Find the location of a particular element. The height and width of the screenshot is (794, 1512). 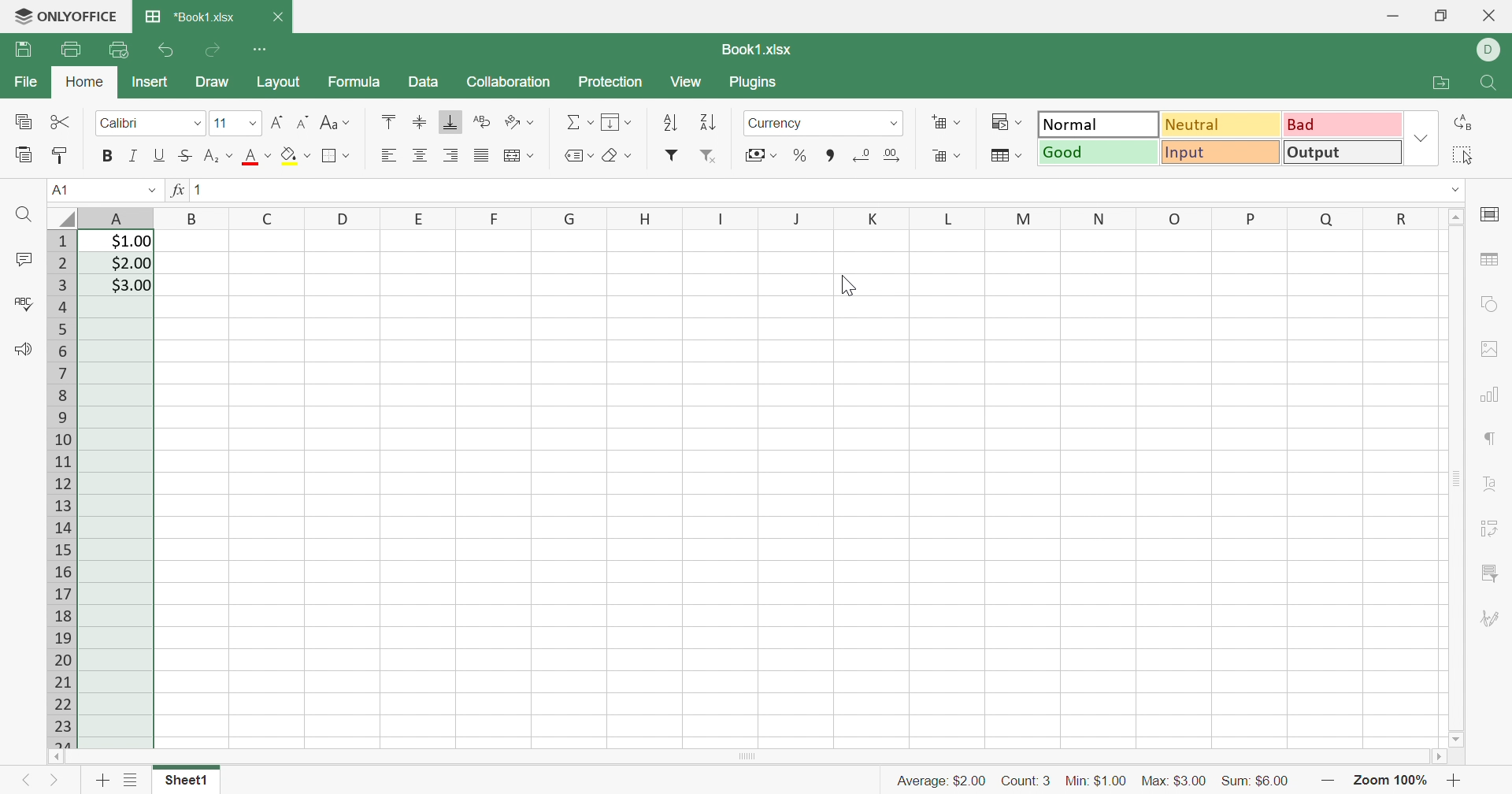

List of sheets is located at coordinates (132, 778).